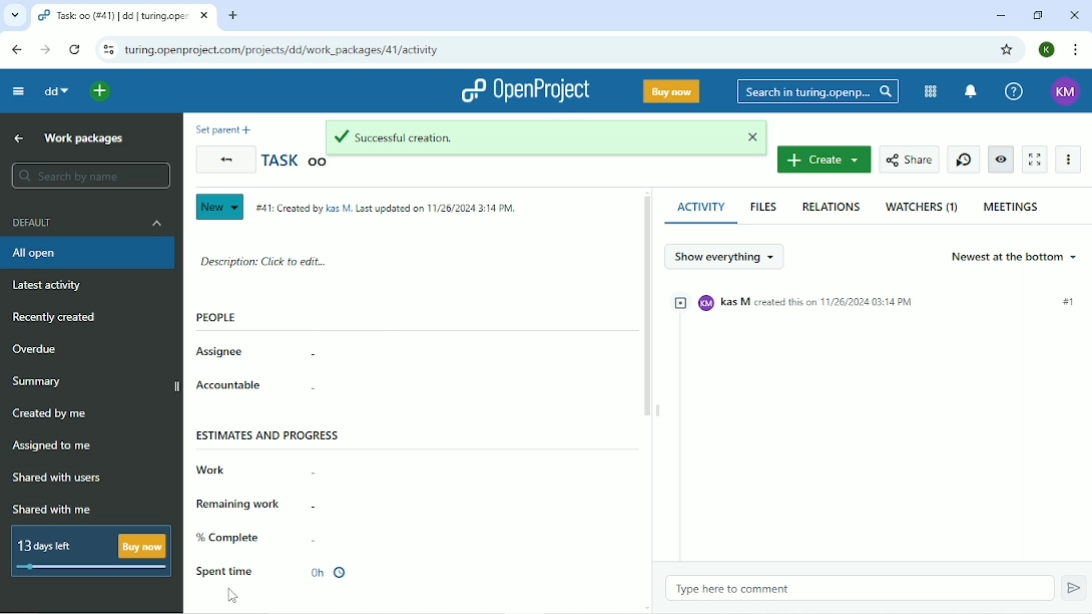  Describe the element at coordinates (111, 17) in the screenshot. I see `task: oo(#41)|dd|turing.openproject.com` at that location.